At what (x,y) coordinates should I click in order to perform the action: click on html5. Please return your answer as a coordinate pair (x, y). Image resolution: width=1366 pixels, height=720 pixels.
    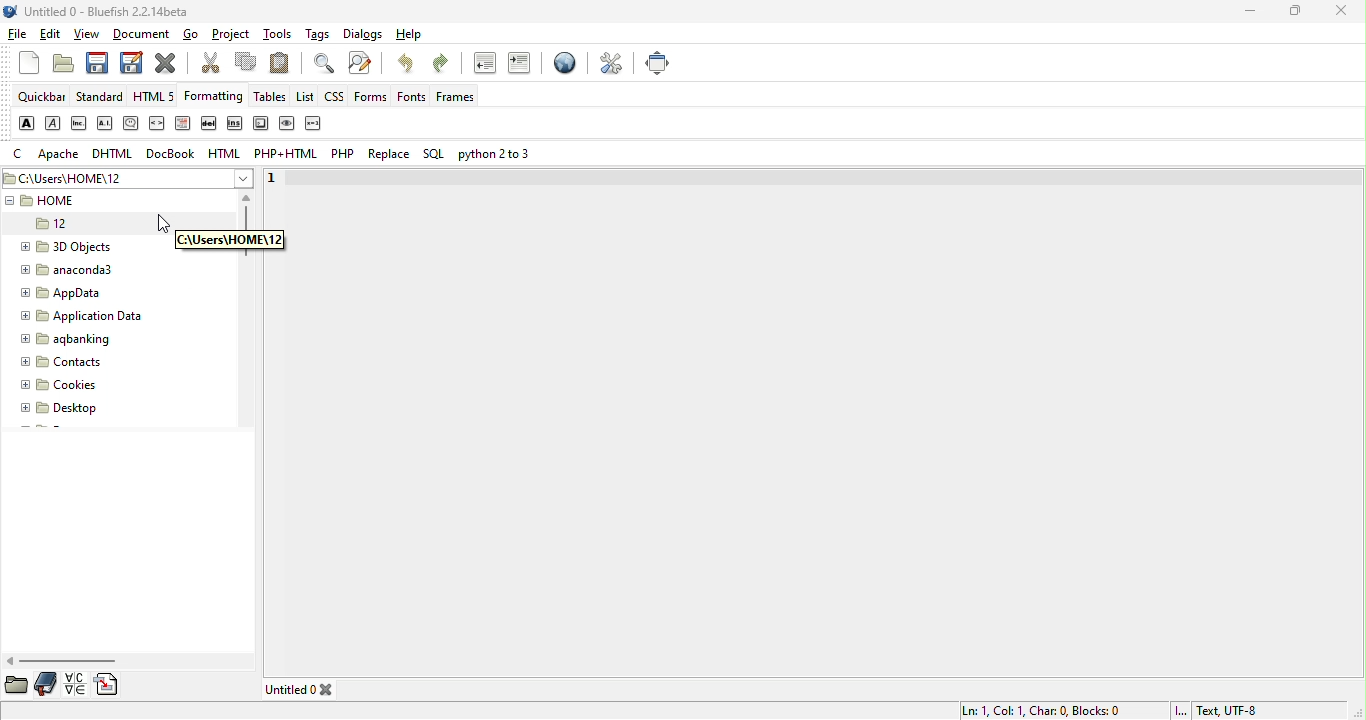
    Looking at the image, I should click on (156, 97).